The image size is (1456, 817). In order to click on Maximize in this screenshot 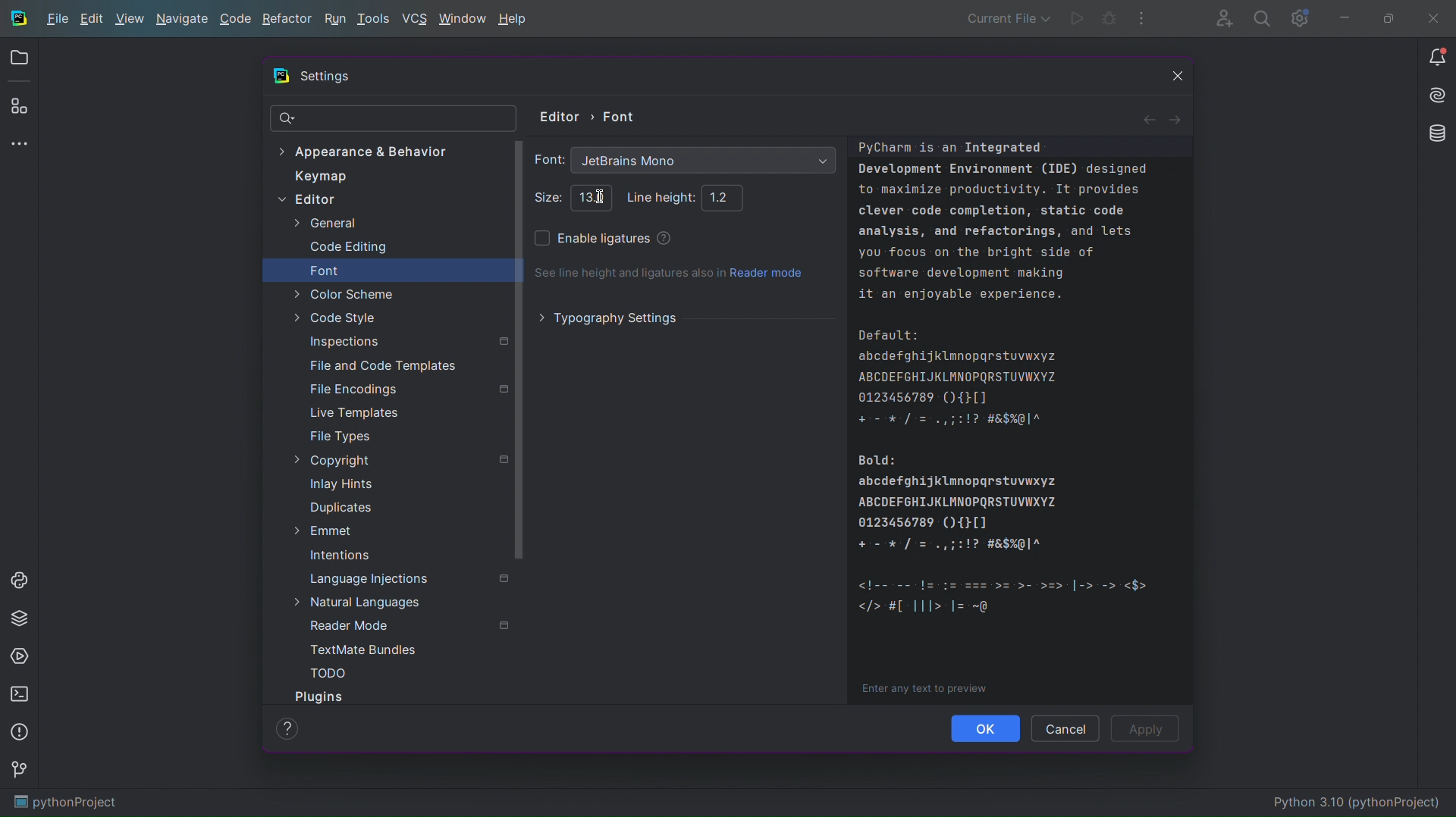, I will do `click(1385, 18)`.